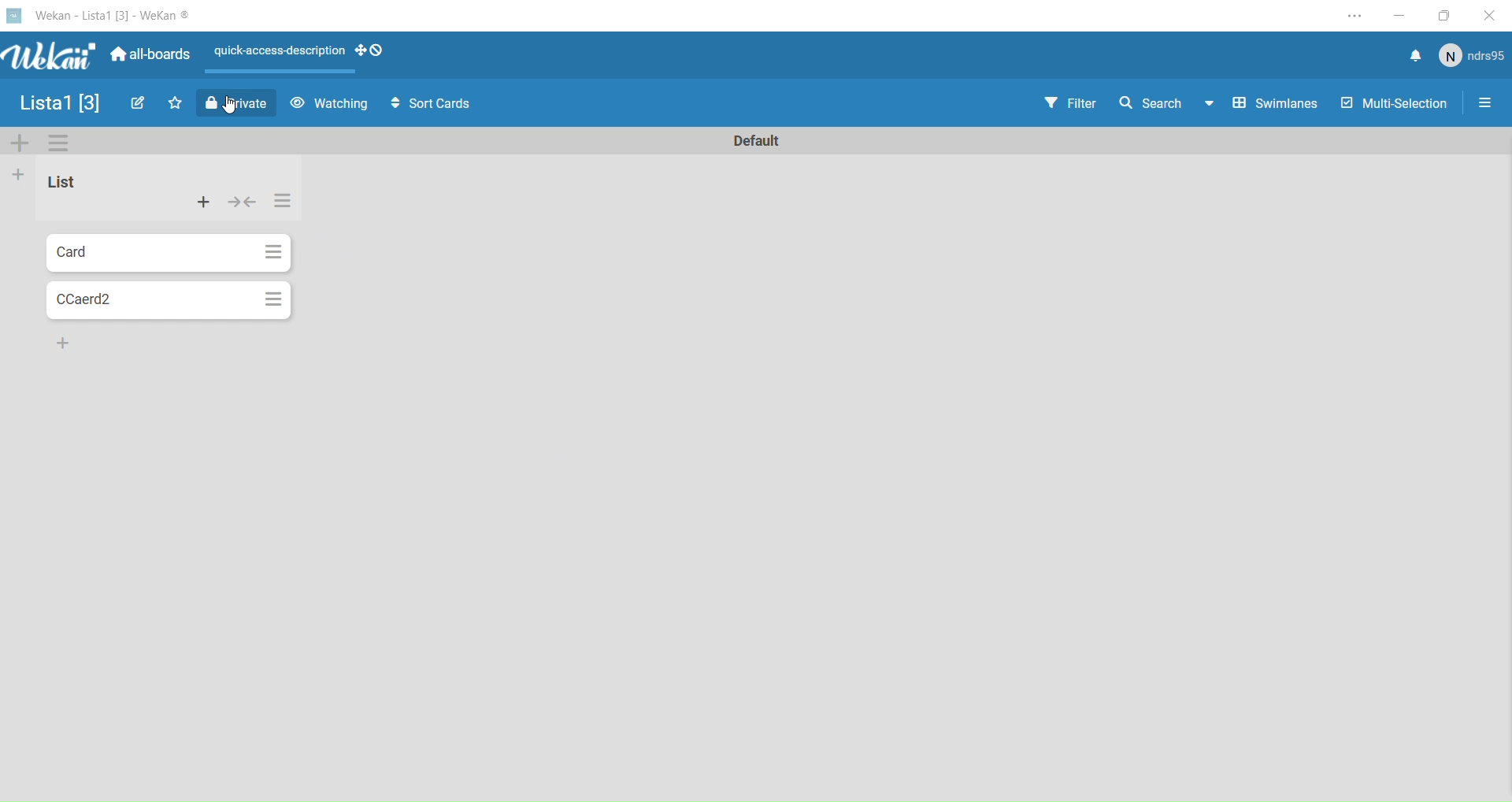 The image size is (1512, 802). What do you see at coordinates (1399, 13) in the screenshot?
I see `Minimize` at bounding box center [1399, 13].